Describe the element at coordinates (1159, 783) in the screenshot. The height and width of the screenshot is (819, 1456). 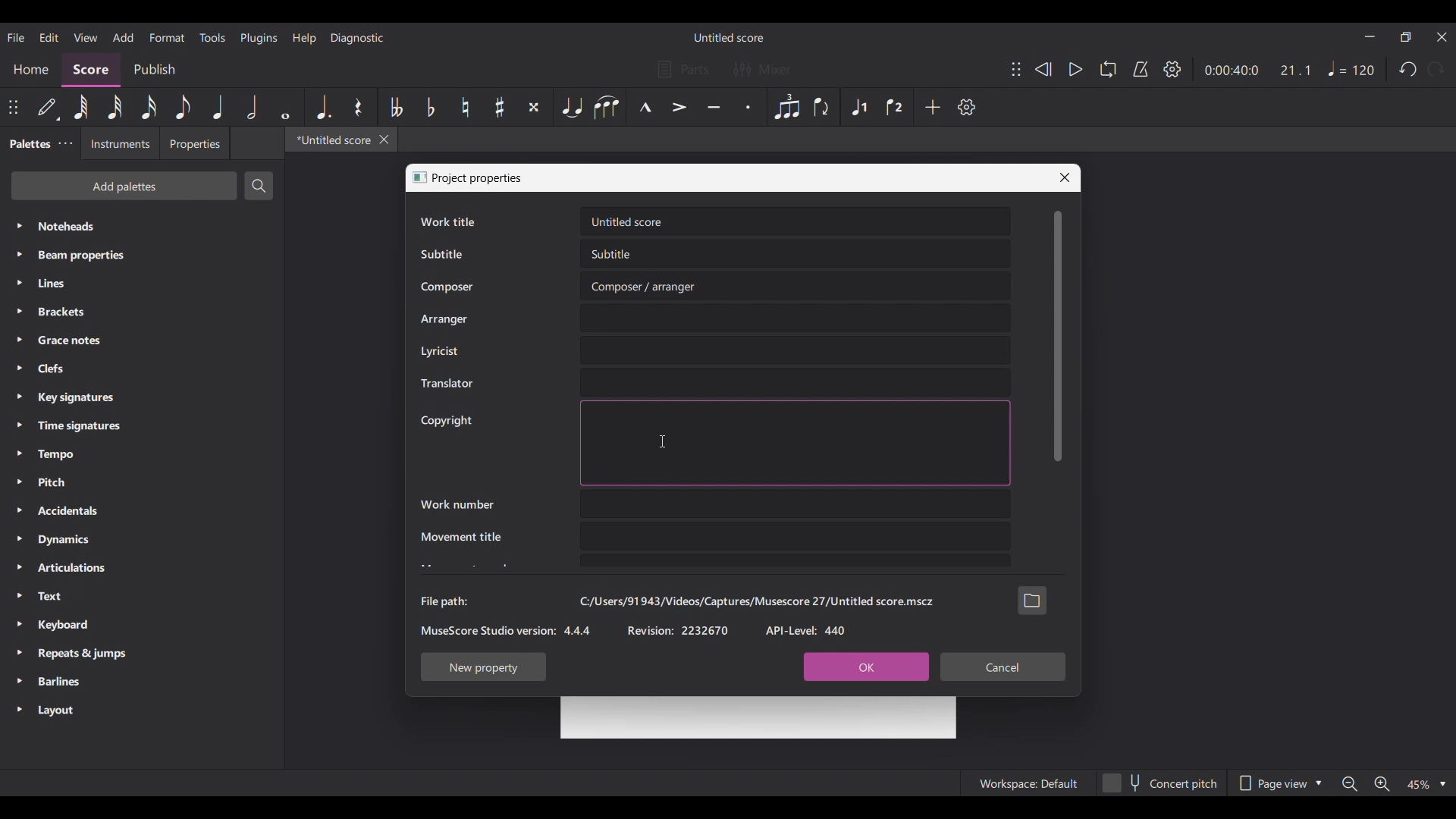
I see `Concert pitch toggle` at that location.